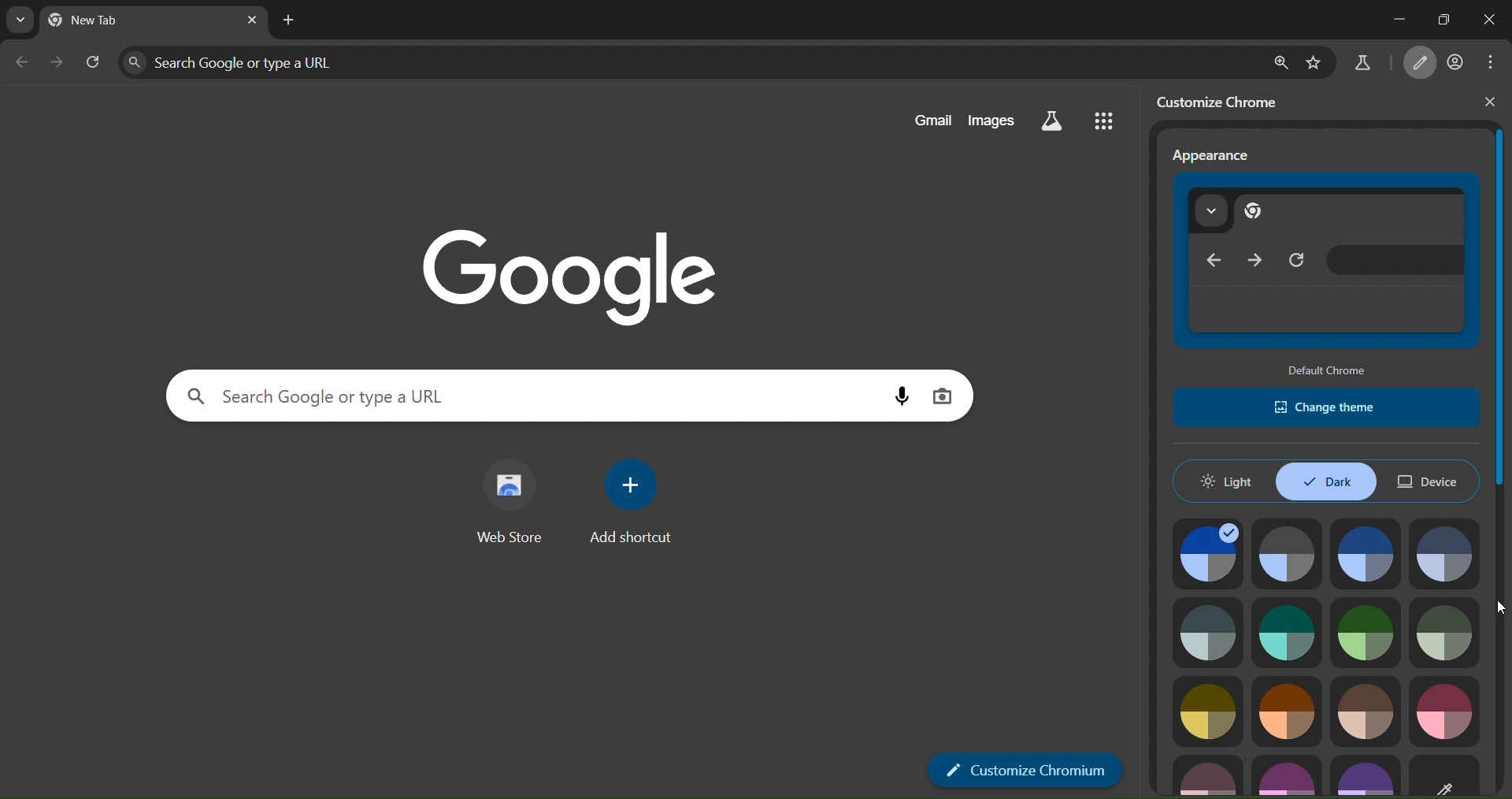 The height and width of the screenshot is (799, 1512). I want to click on change theme, so click(1329, 407).